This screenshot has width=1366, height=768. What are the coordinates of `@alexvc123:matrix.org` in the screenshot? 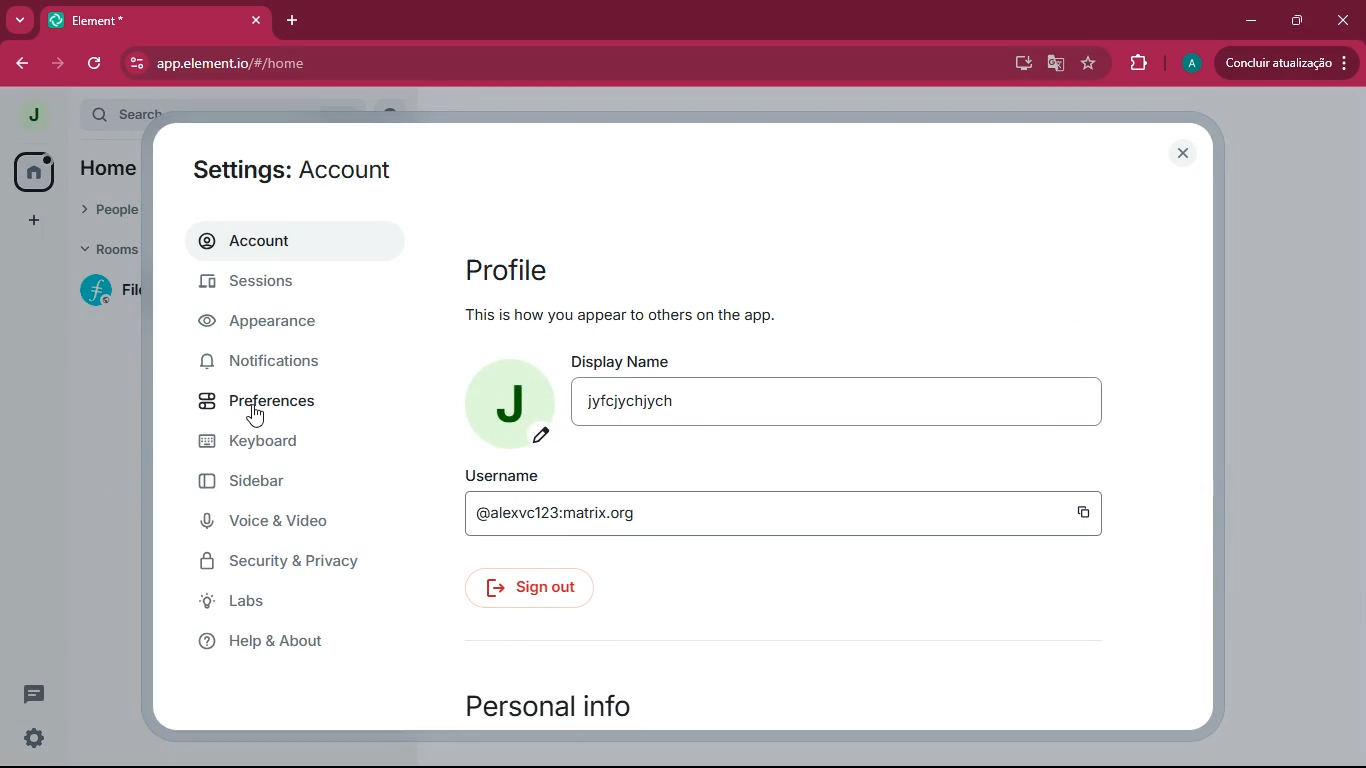 It's located at (730, 513).